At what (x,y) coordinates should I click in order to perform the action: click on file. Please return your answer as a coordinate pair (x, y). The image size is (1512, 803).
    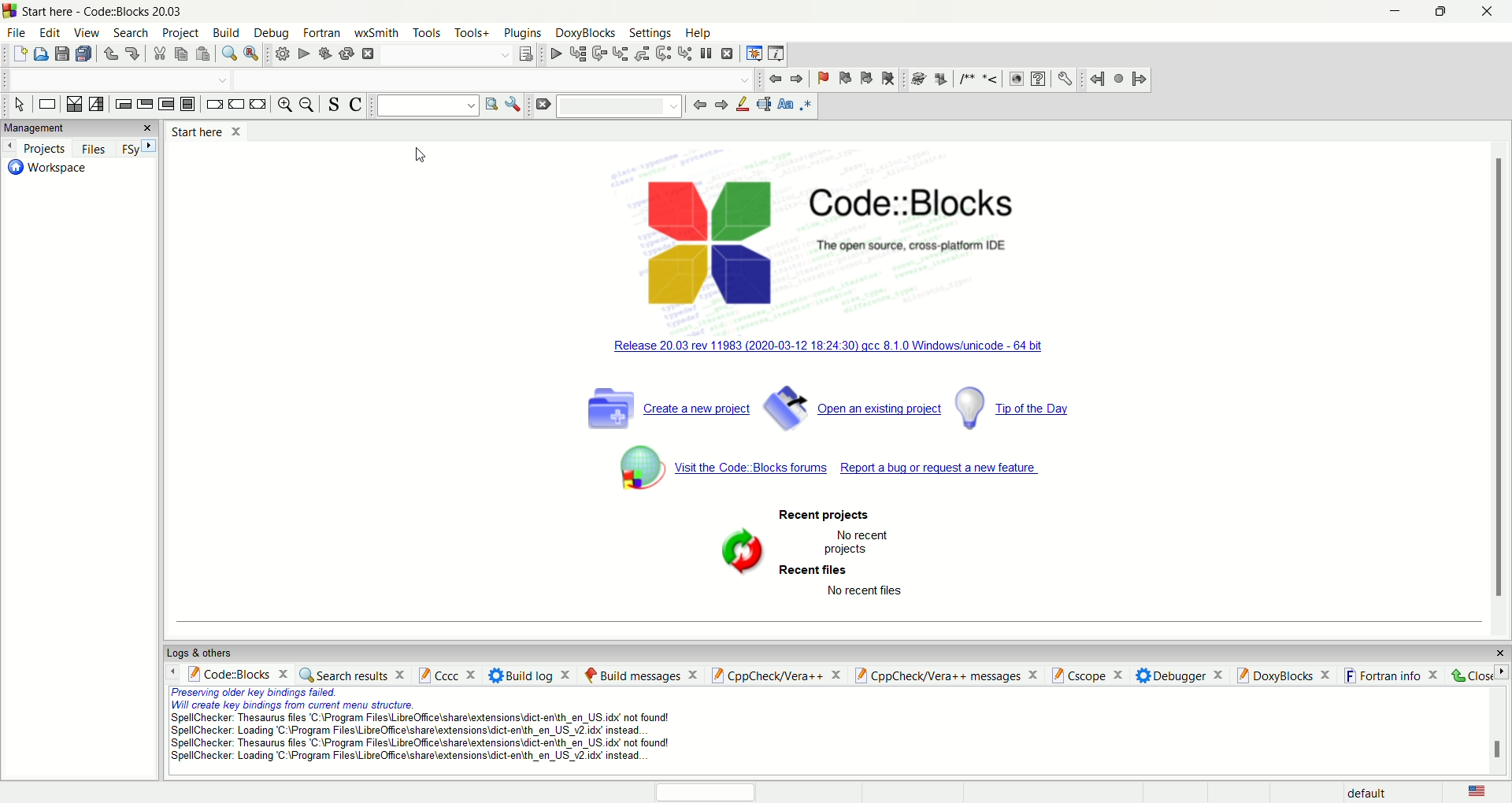
    Looking at the image, I should click on (16, 32).